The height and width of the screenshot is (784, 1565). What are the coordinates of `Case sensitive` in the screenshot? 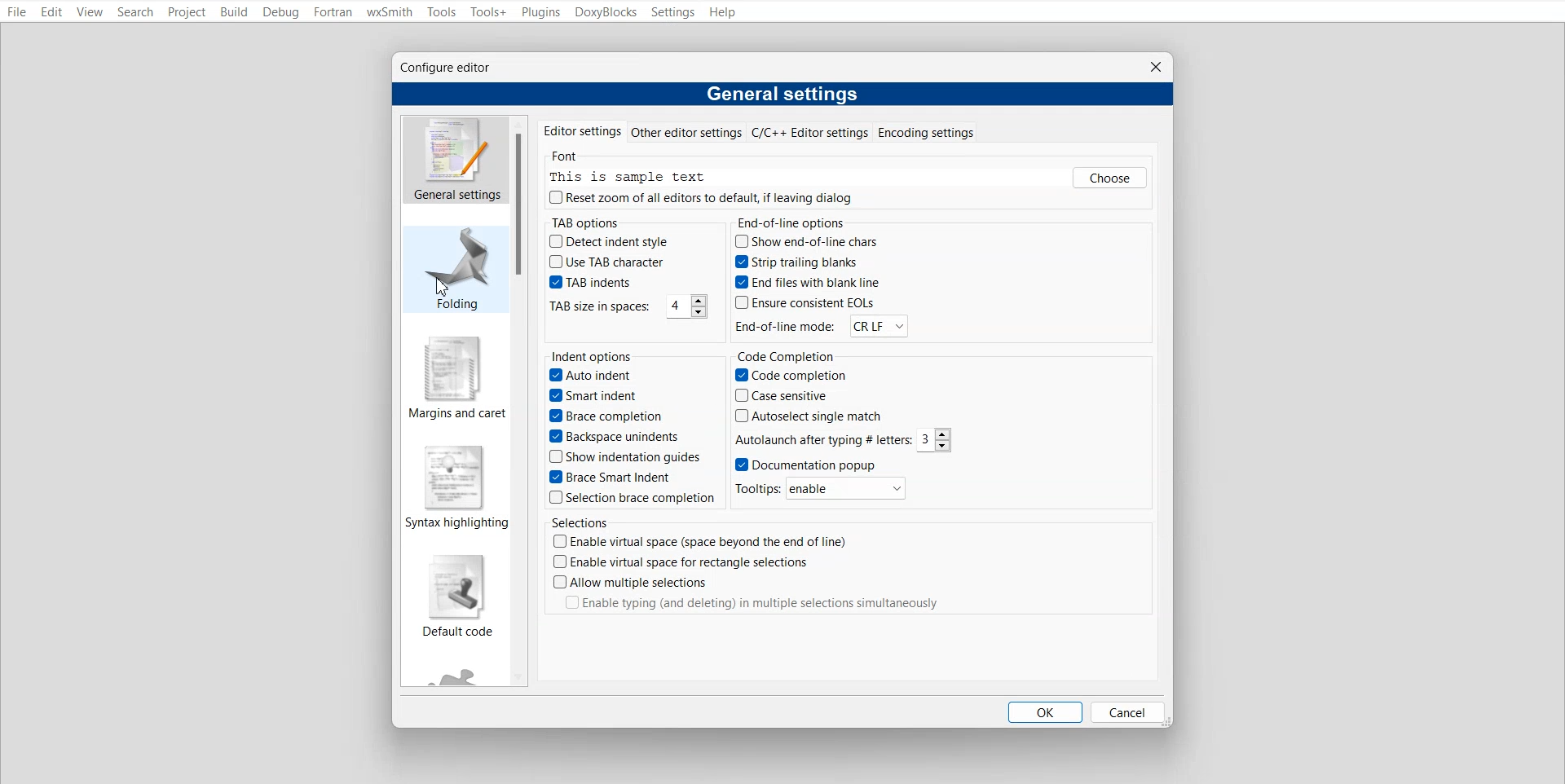 It's located at (791, 397).